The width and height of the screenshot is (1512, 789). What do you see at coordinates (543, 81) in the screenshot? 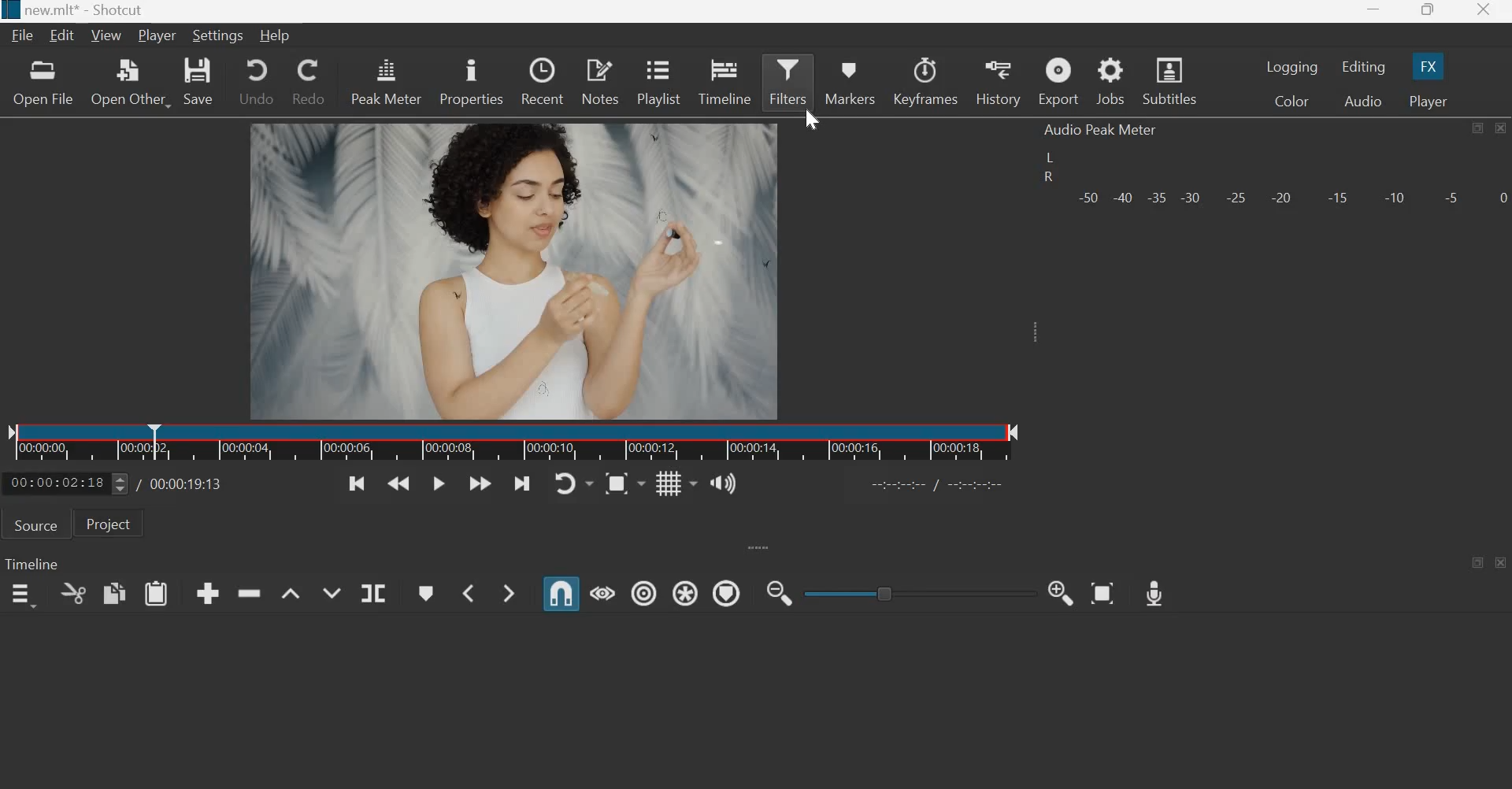
I see `Recent` at bounding box center [543, 81].